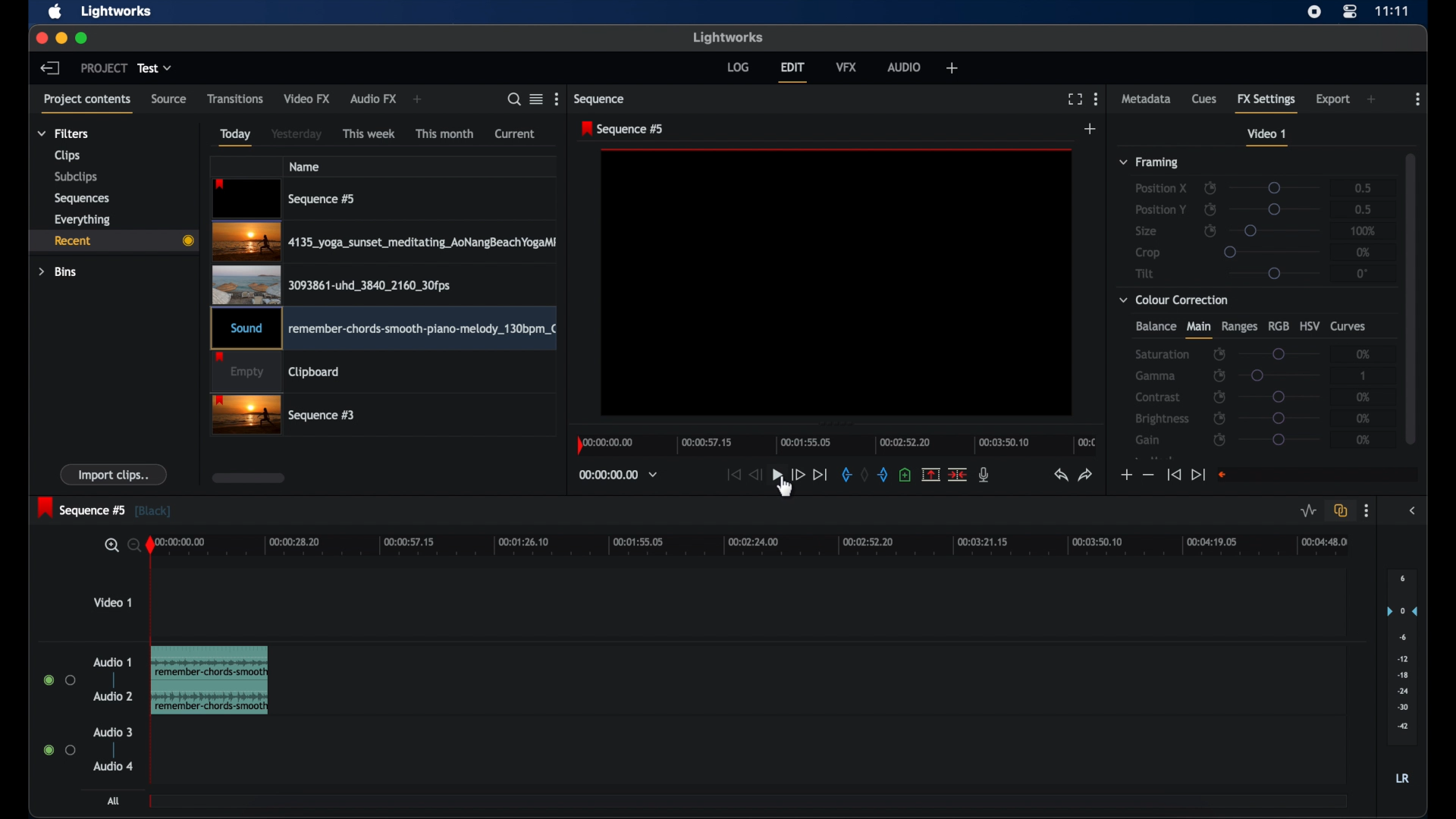 The width and height of the screenshot is (1456, 819). Describe the element at coordinates (1417, 99) in the screenshot. I see `more options` at that location.